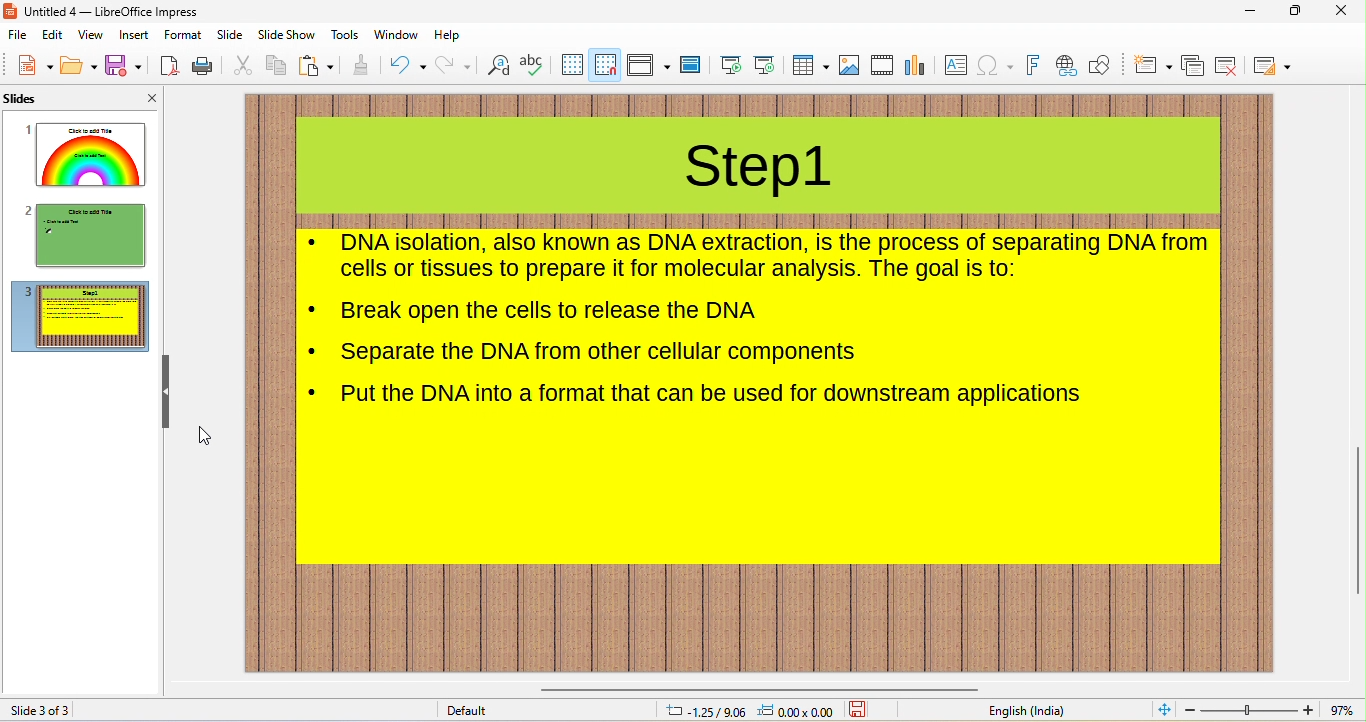 The image size is (1366, 722). Describe the element at coordinates (551, 311) in the screenshot. I see `content` at that location.